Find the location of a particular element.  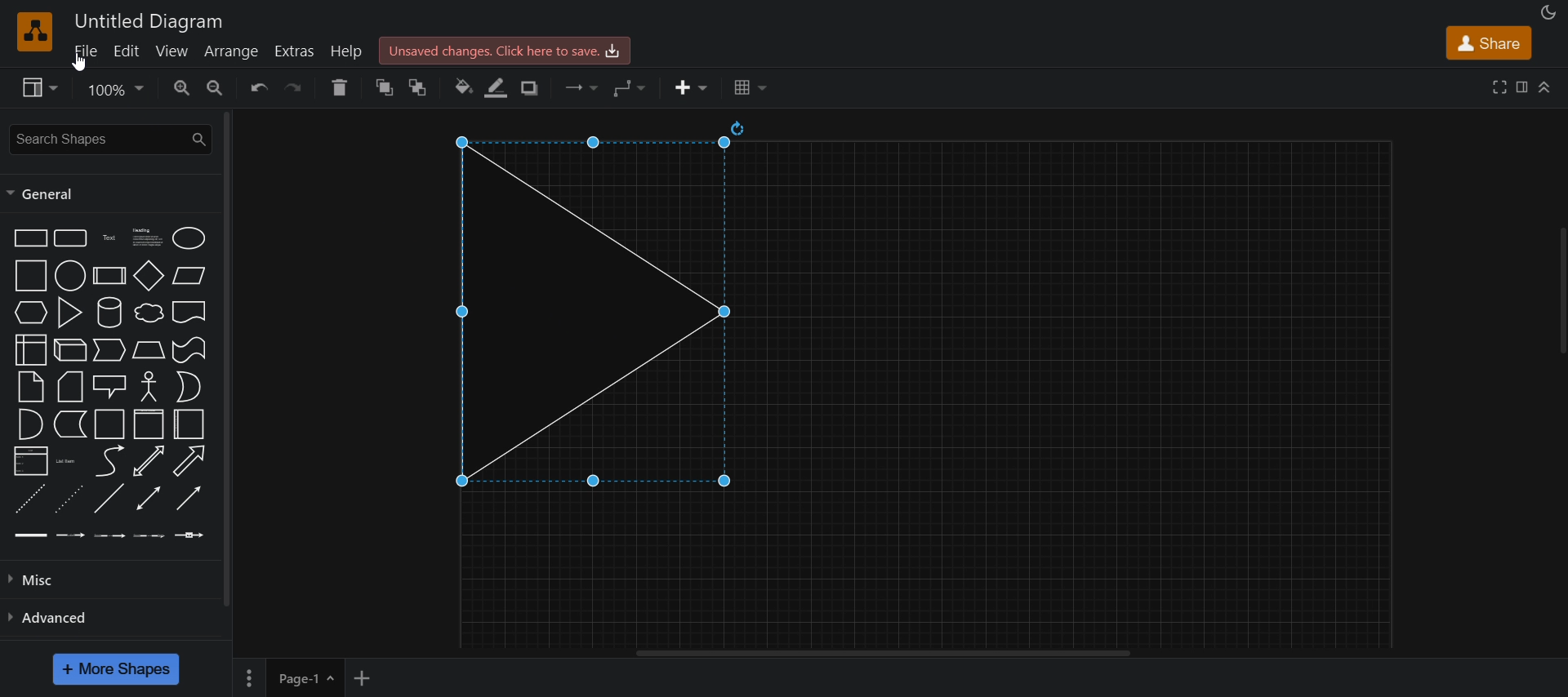

container is located at coordinates (110, 425).